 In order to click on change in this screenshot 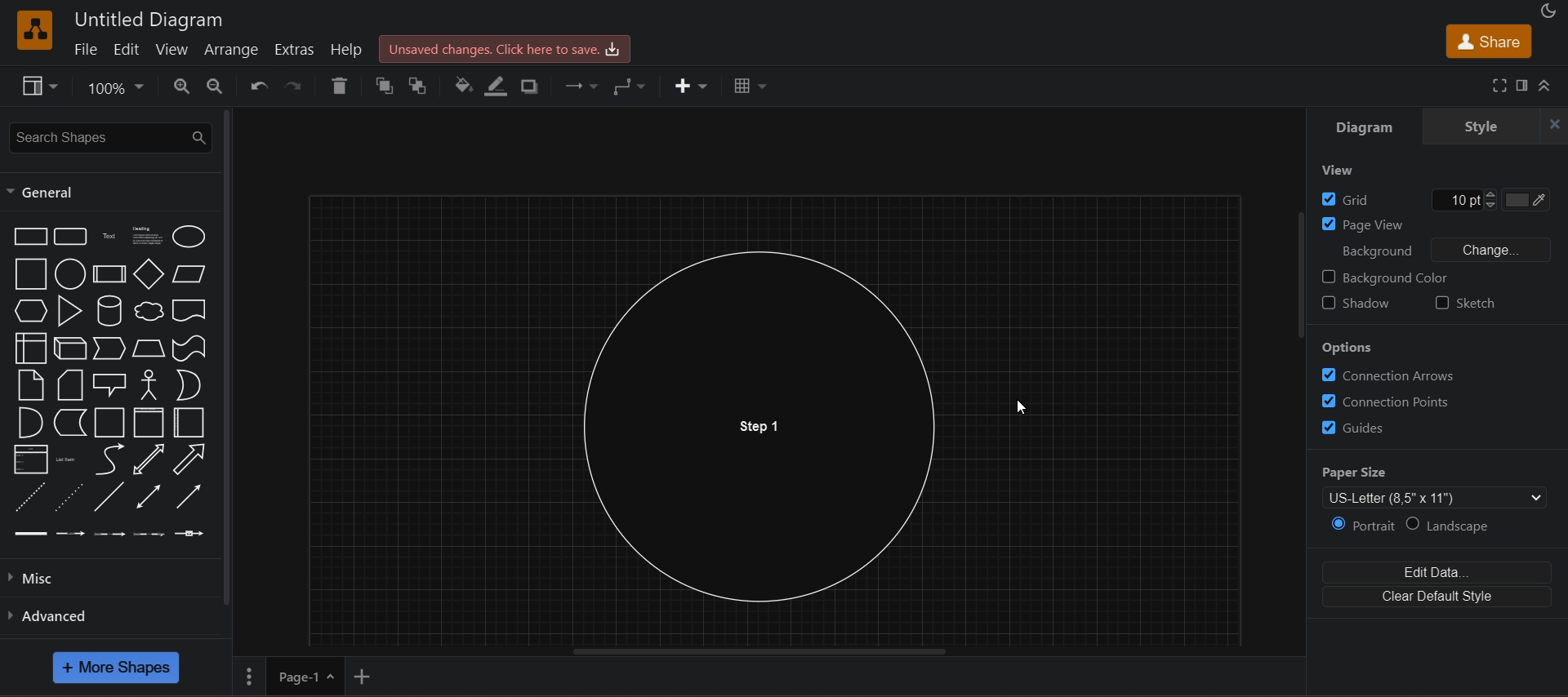, I will do `click(1498, 251)`.